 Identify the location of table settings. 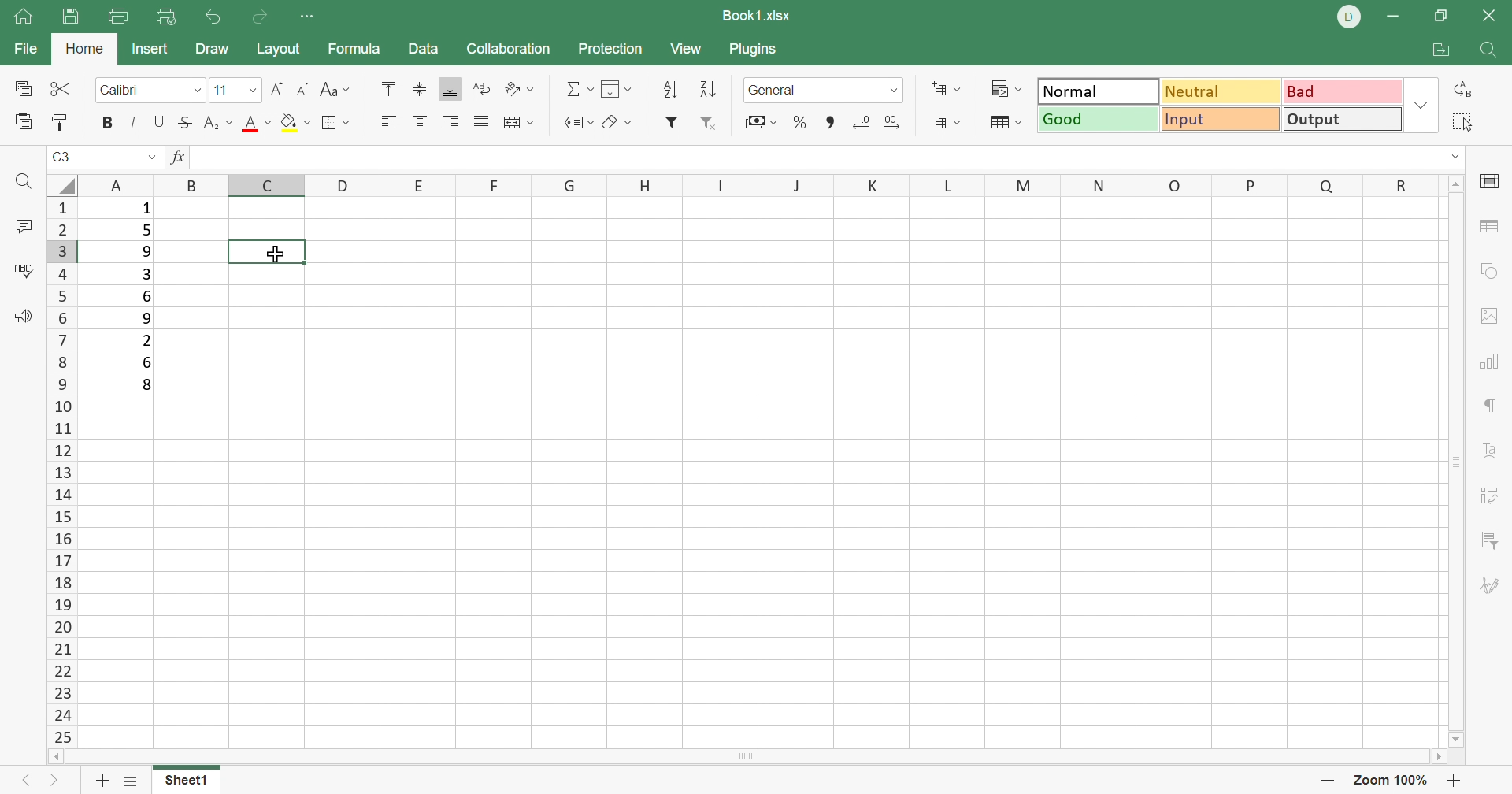
(1492, 225).